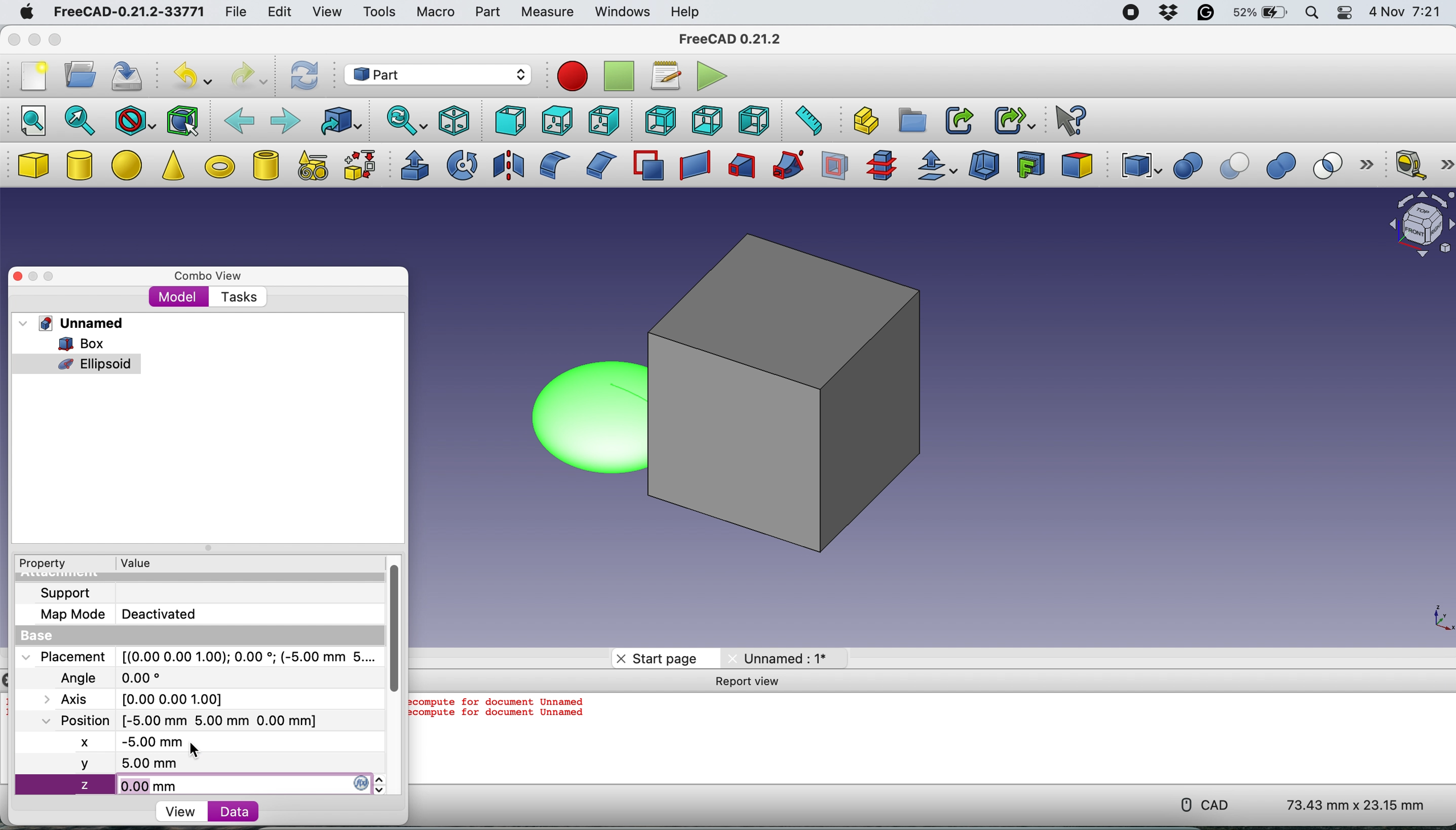  What do you see at coordinates (463, 164) in the screenshot?
I see `revolve` at bounding box center [463, 164].